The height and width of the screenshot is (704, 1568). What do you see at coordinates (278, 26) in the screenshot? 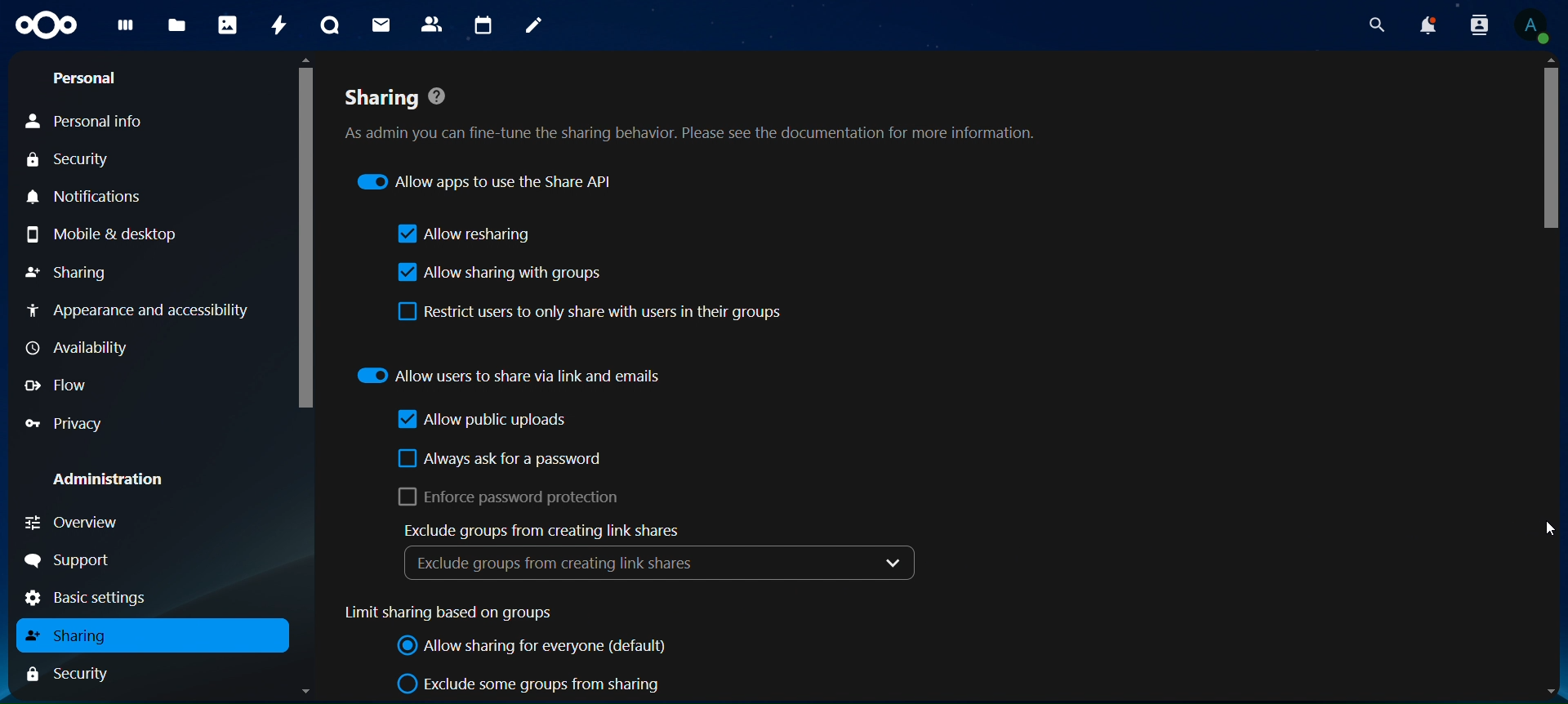
I see `activity` at bounding box center [278, 26].